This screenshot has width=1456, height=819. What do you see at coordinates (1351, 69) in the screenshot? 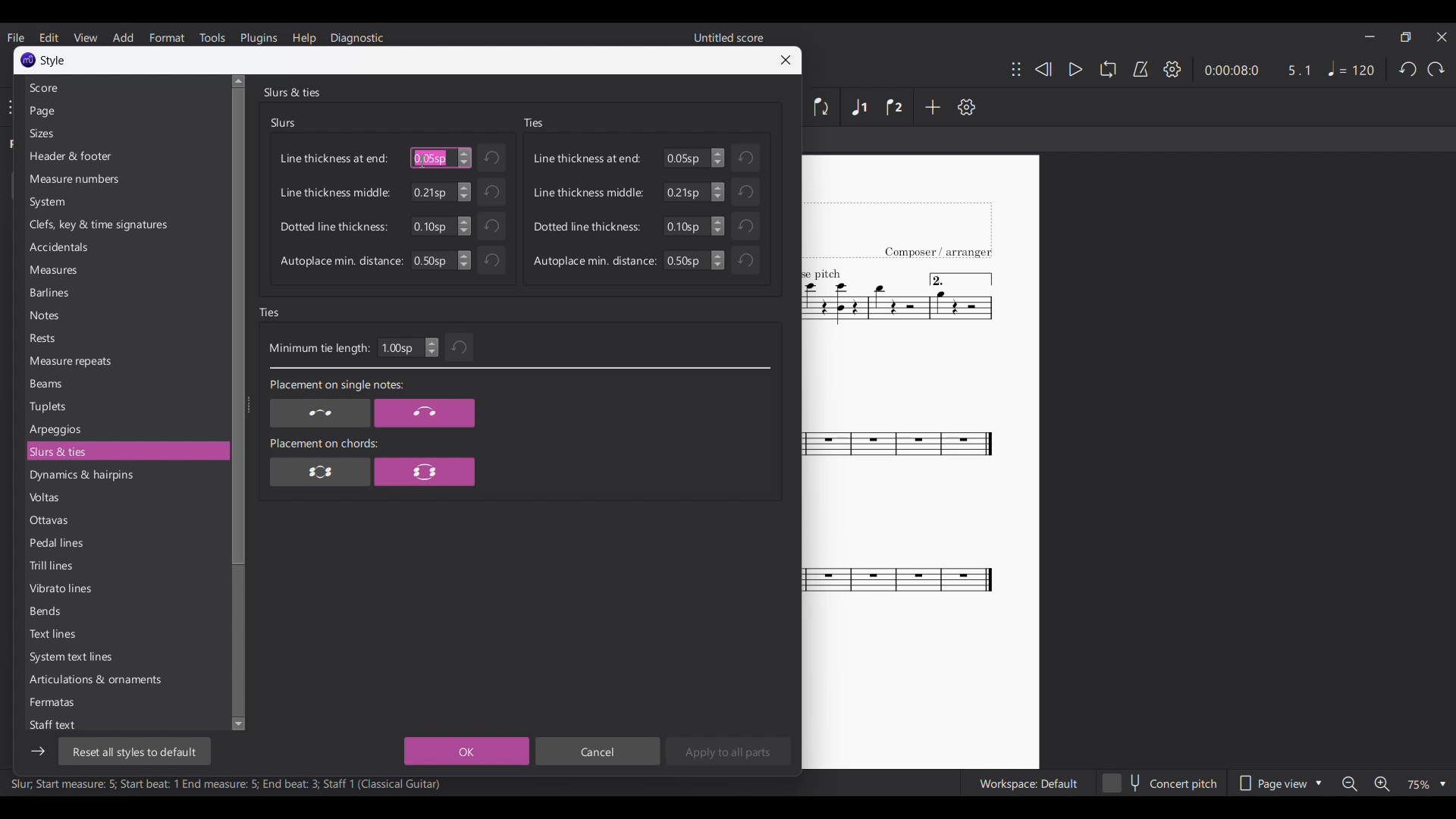
I see `Tempo` at bounding box center [1351, 69].